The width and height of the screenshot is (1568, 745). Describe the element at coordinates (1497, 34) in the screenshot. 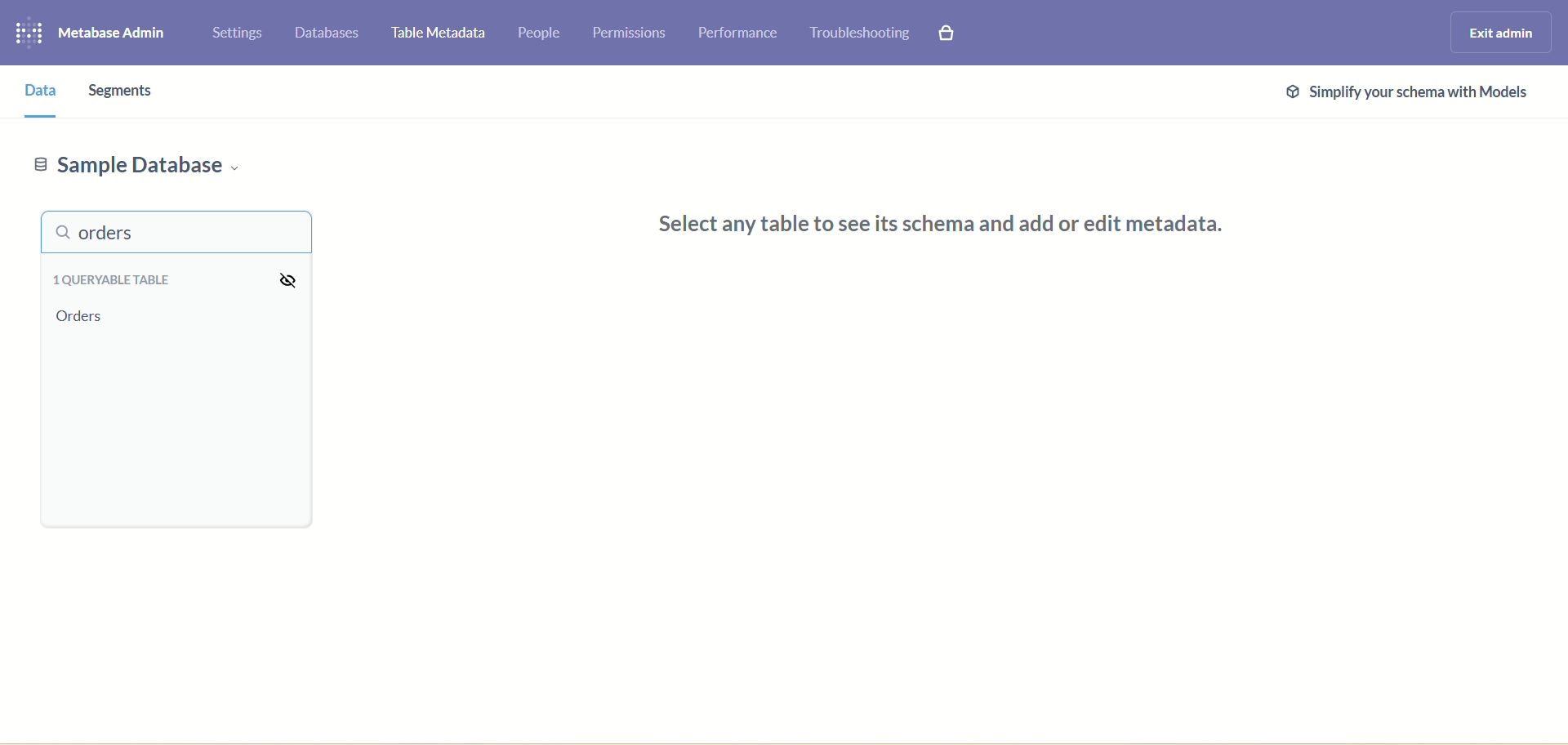

I see `exit admin` at that location.